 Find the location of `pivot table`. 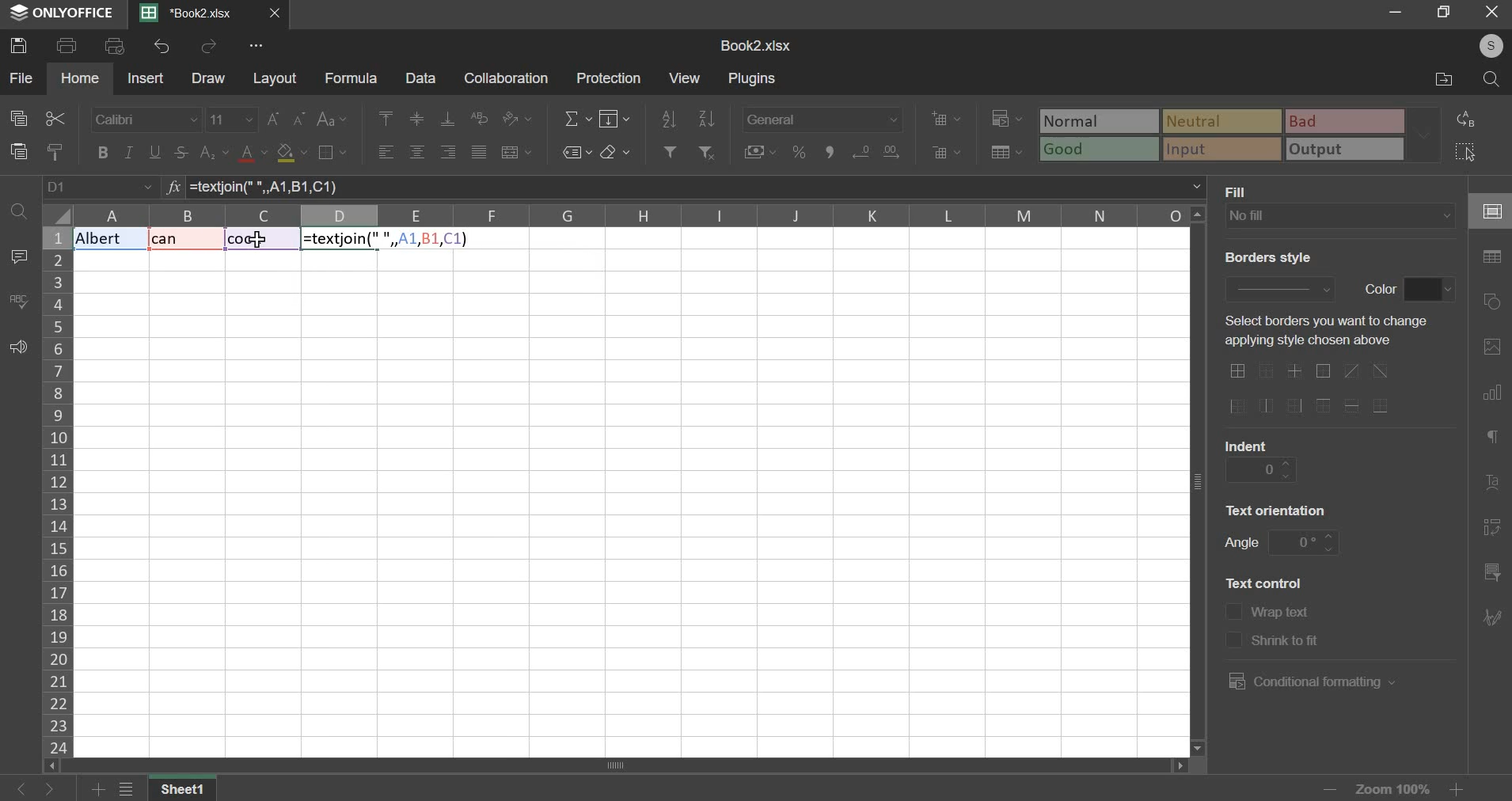

pivot table is located at coordinates (1492, 529).